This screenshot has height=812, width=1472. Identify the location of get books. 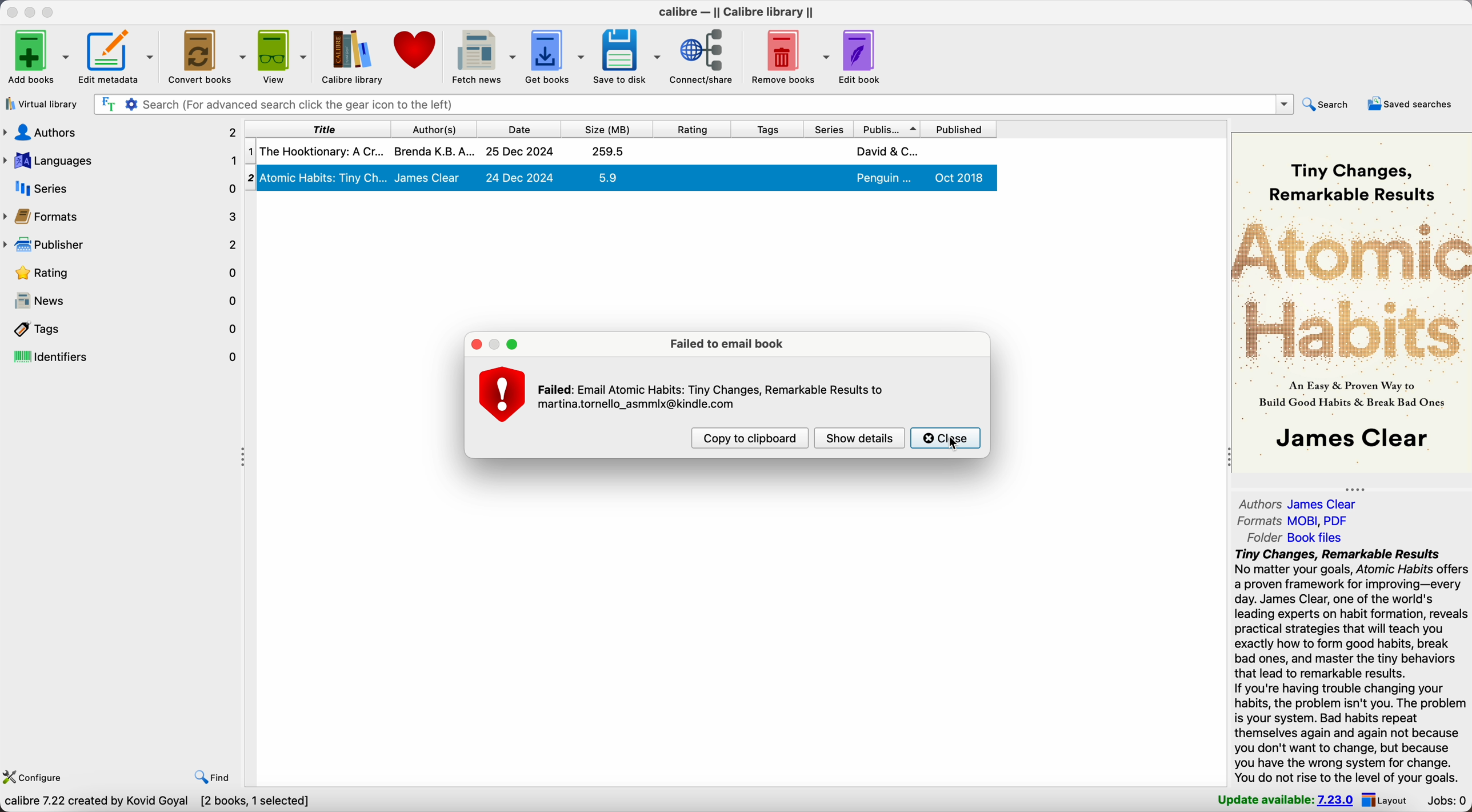
(557, 56).